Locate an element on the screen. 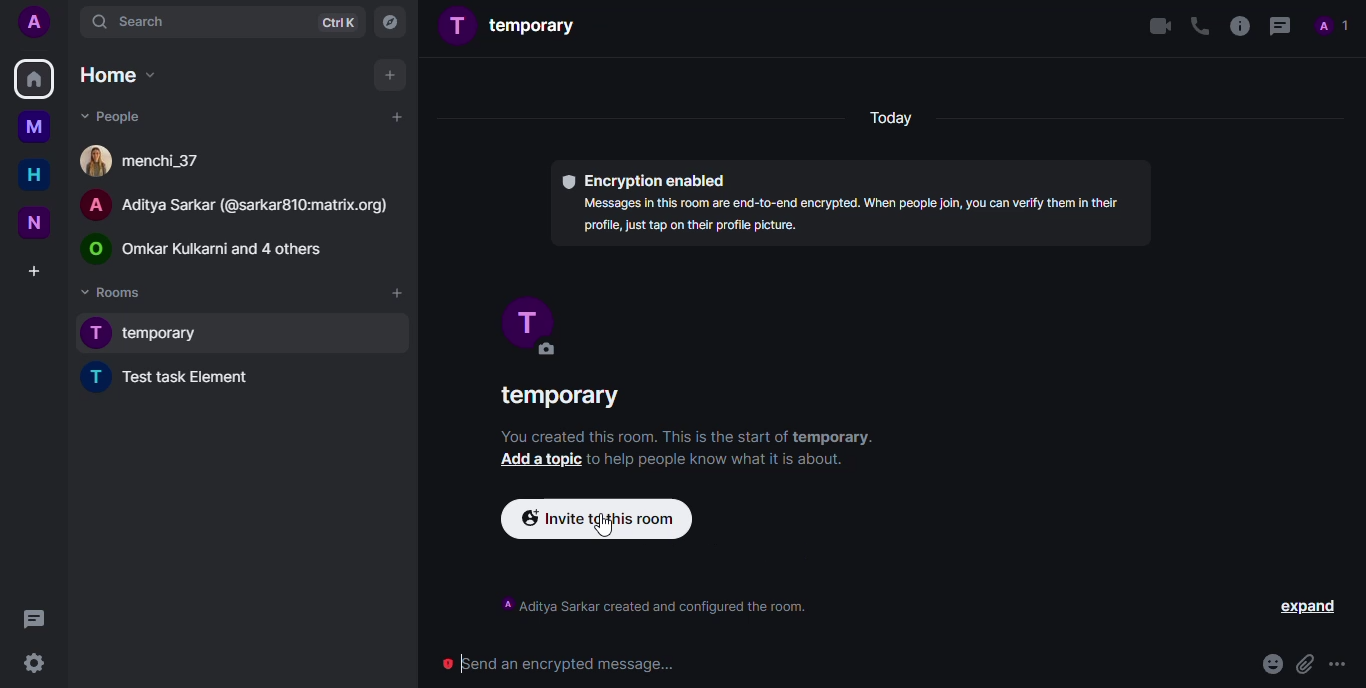  profile pic is located at coordinates (525, 325).